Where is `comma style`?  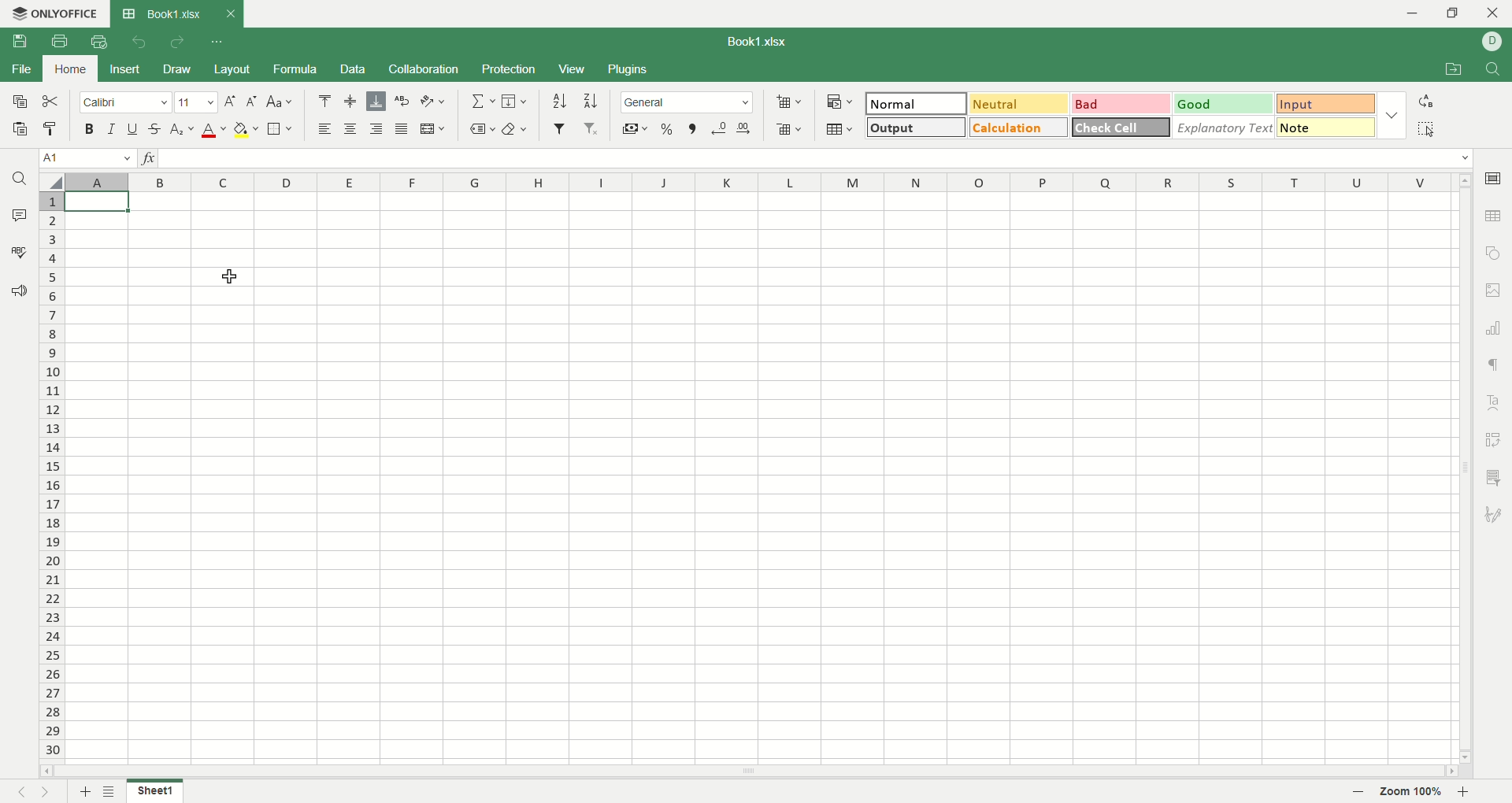
comma style is located at coordinates (692, 128).